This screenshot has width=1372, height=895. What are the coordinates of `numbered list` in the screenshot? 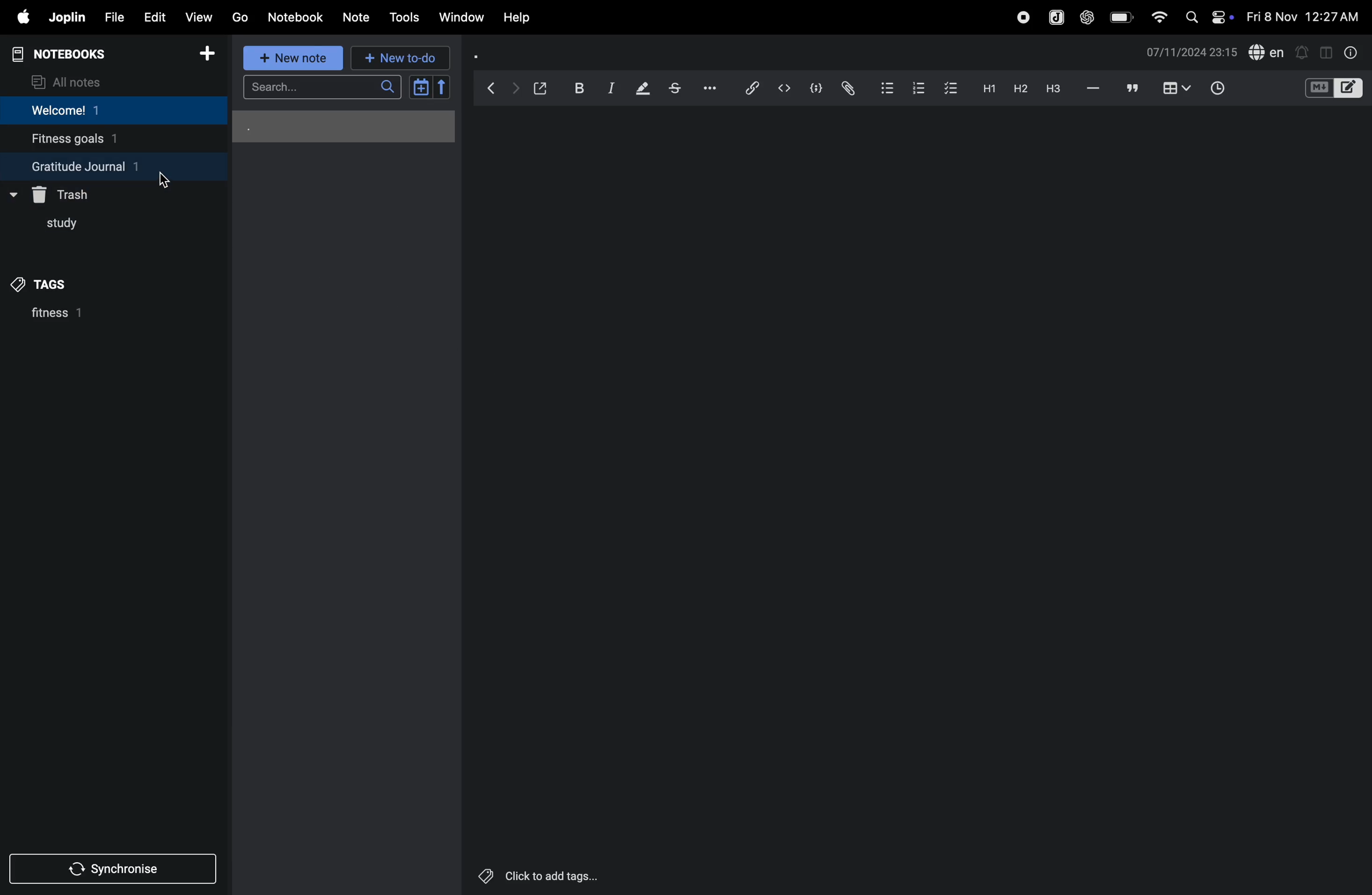 It's located at (914, 88).